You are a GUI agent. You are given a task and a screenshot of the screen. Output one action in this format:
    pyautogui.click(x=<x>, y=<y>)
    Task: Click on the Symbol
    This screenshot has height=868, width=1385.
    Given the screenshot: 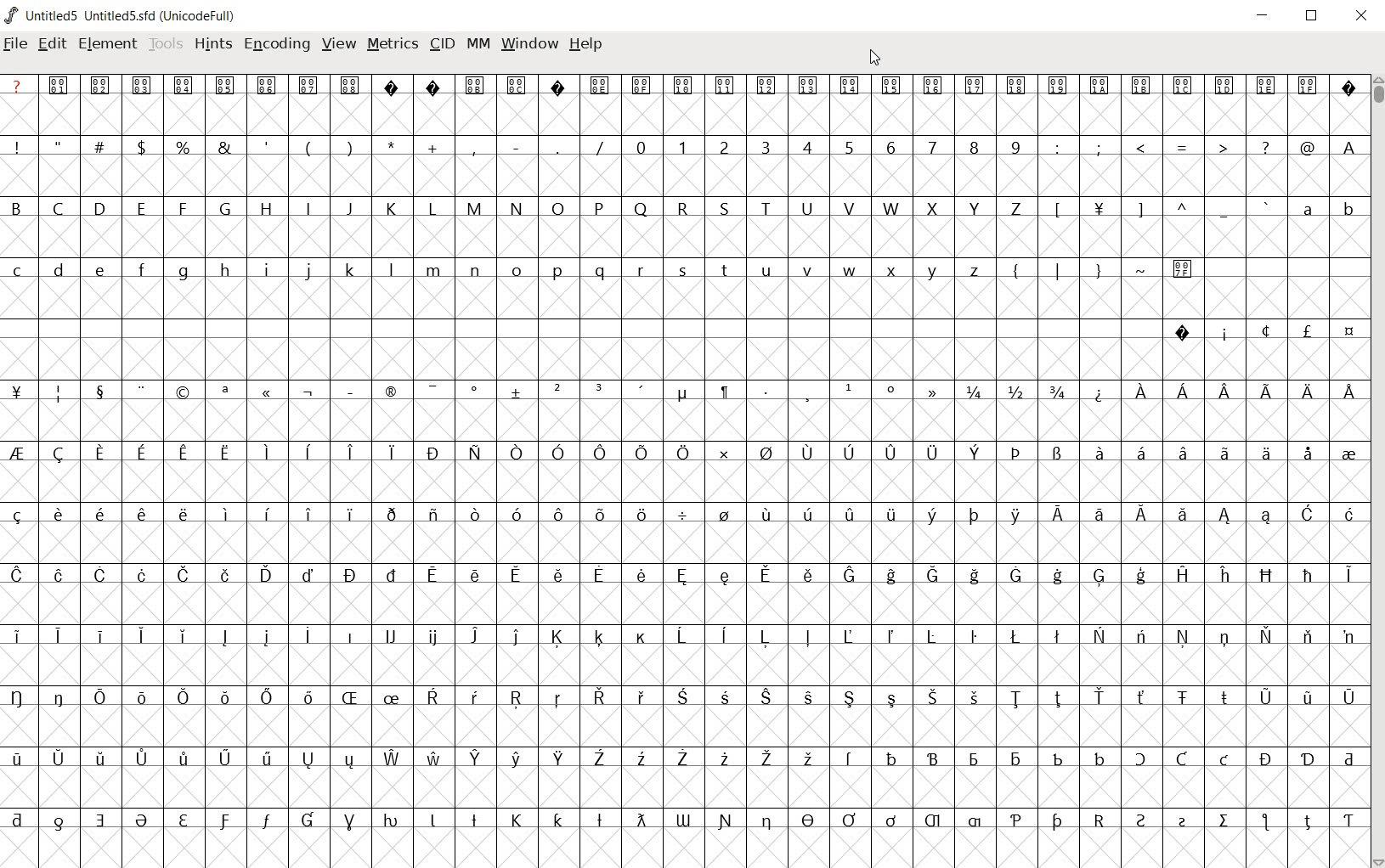 What is the action you would take?
    pyautogui.click(x=974, y=576)
    